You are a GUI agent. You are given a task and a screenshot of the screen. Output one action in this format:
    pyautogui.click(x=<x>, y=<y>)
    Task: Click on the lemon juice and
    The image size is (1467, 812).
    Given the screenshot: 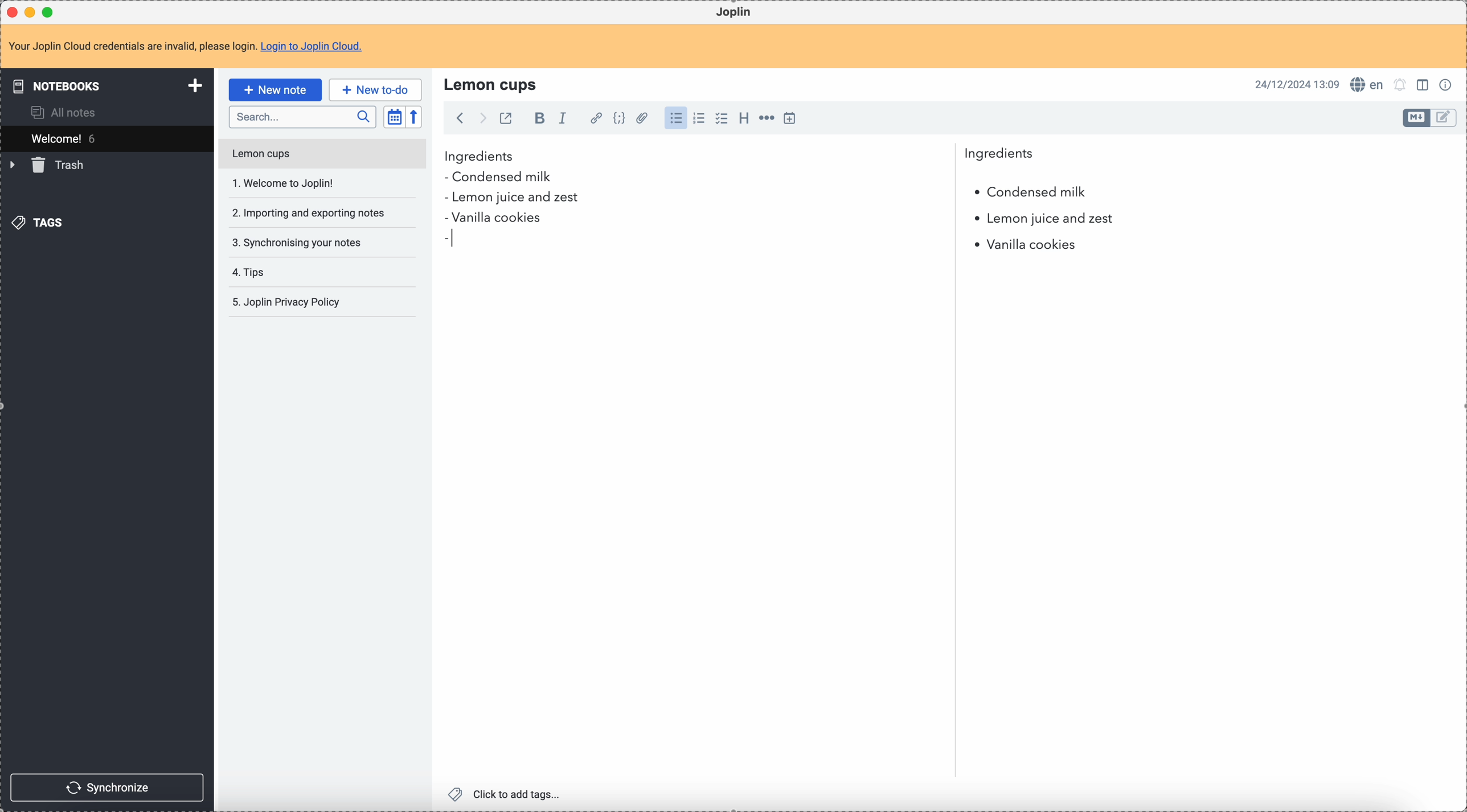 What is the action you would take?
    pyautogui.click(x=1043, y=220)
    